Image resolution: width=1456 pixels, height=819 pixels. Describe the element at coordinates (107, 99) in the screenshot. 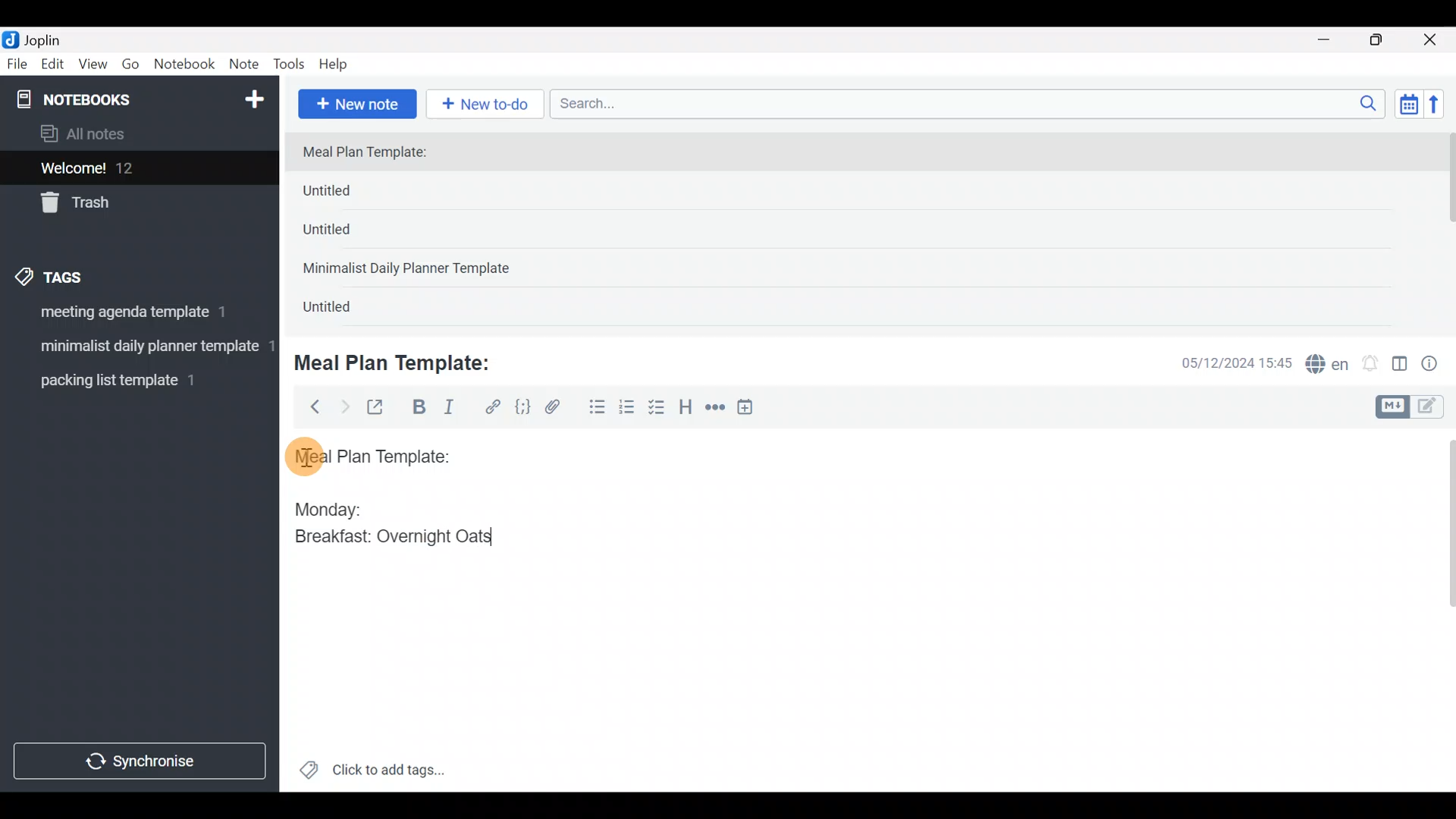

I see `Notebooks` at that location.